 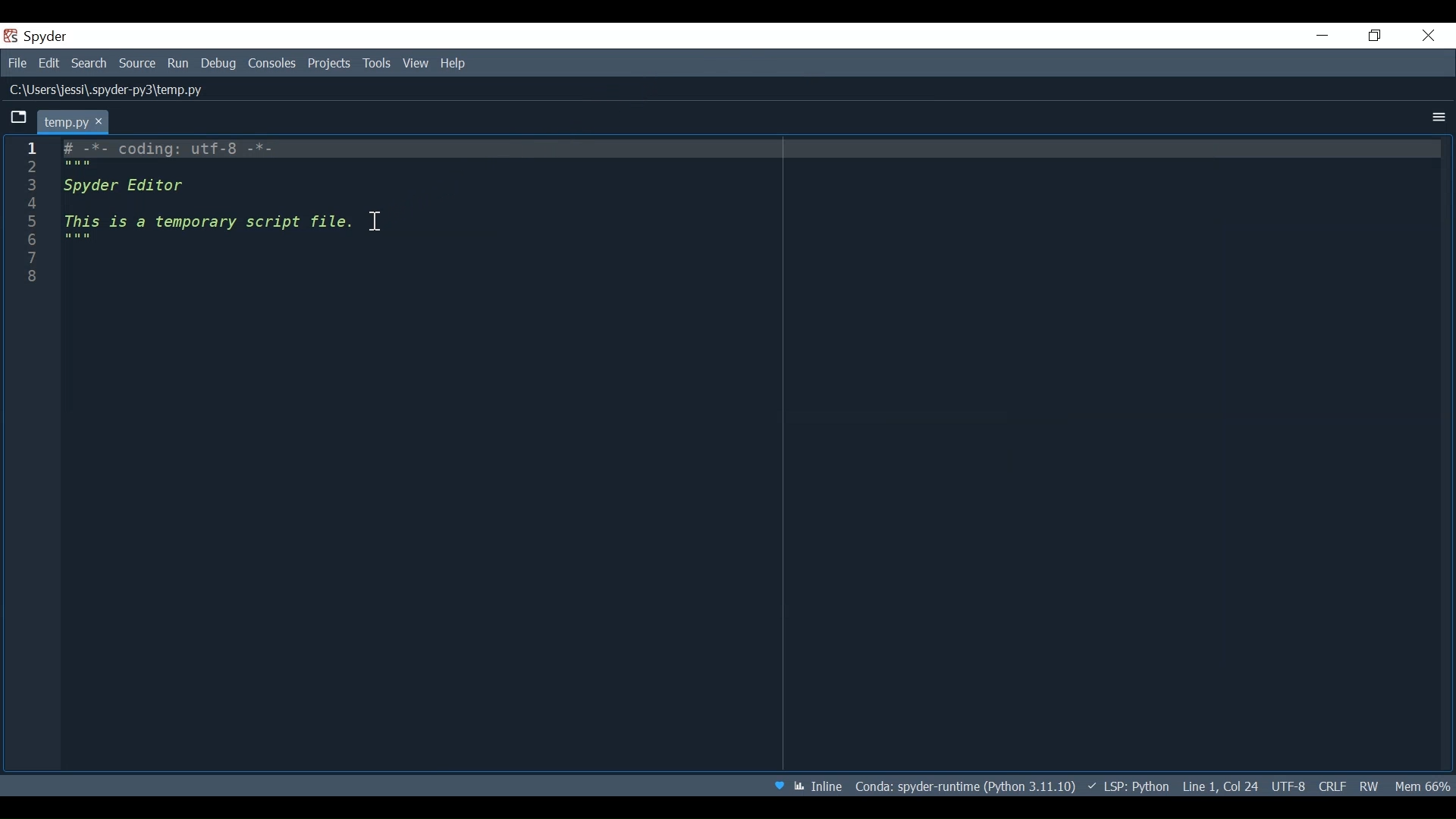 What do you see at coordinates (17, 64) in the screenshot?
I see `File` at bounding box center [17, 64].